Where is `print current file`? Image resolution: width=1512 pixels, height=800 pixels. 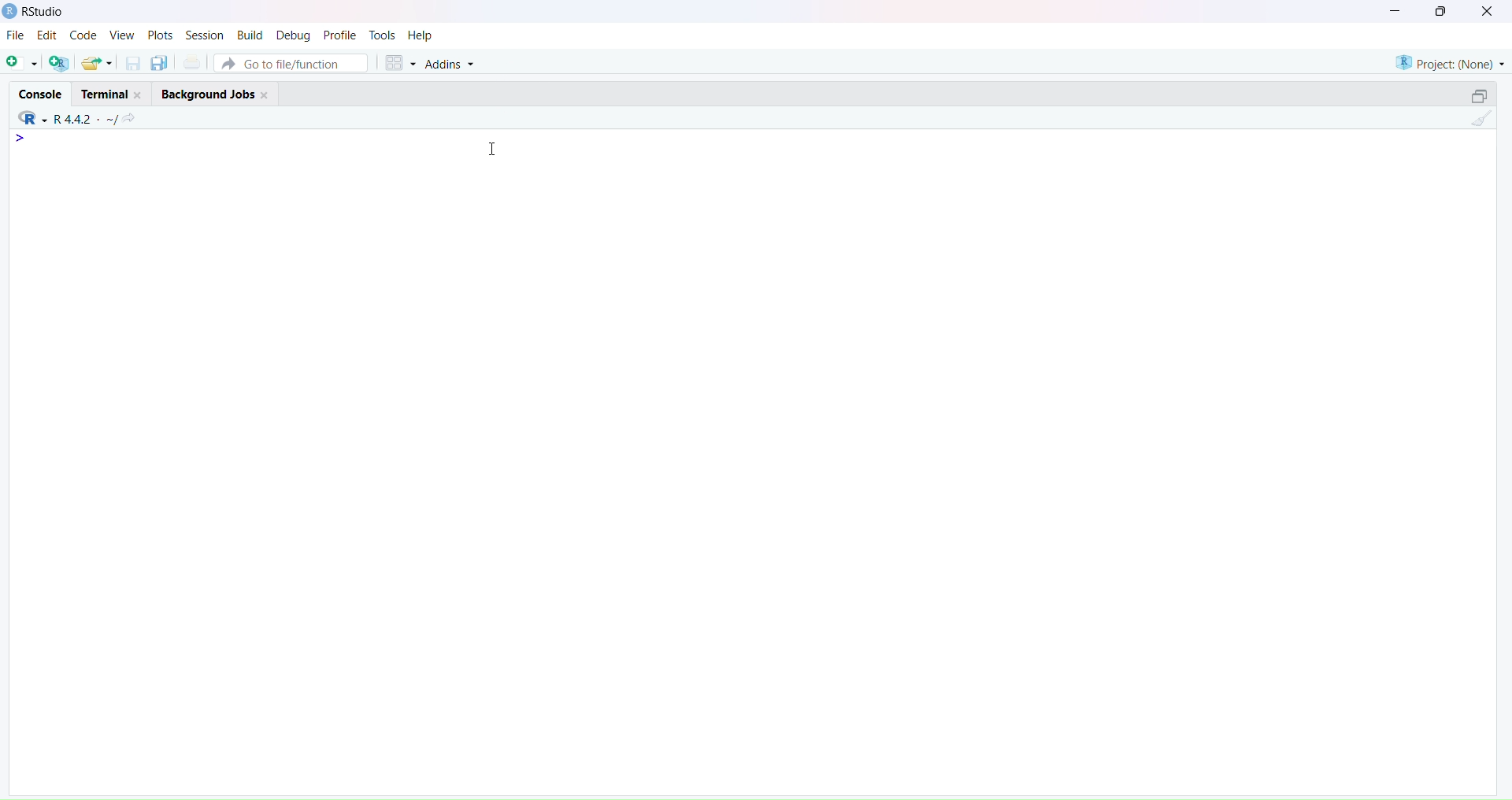 print current file is located at coordinates (192, 64).